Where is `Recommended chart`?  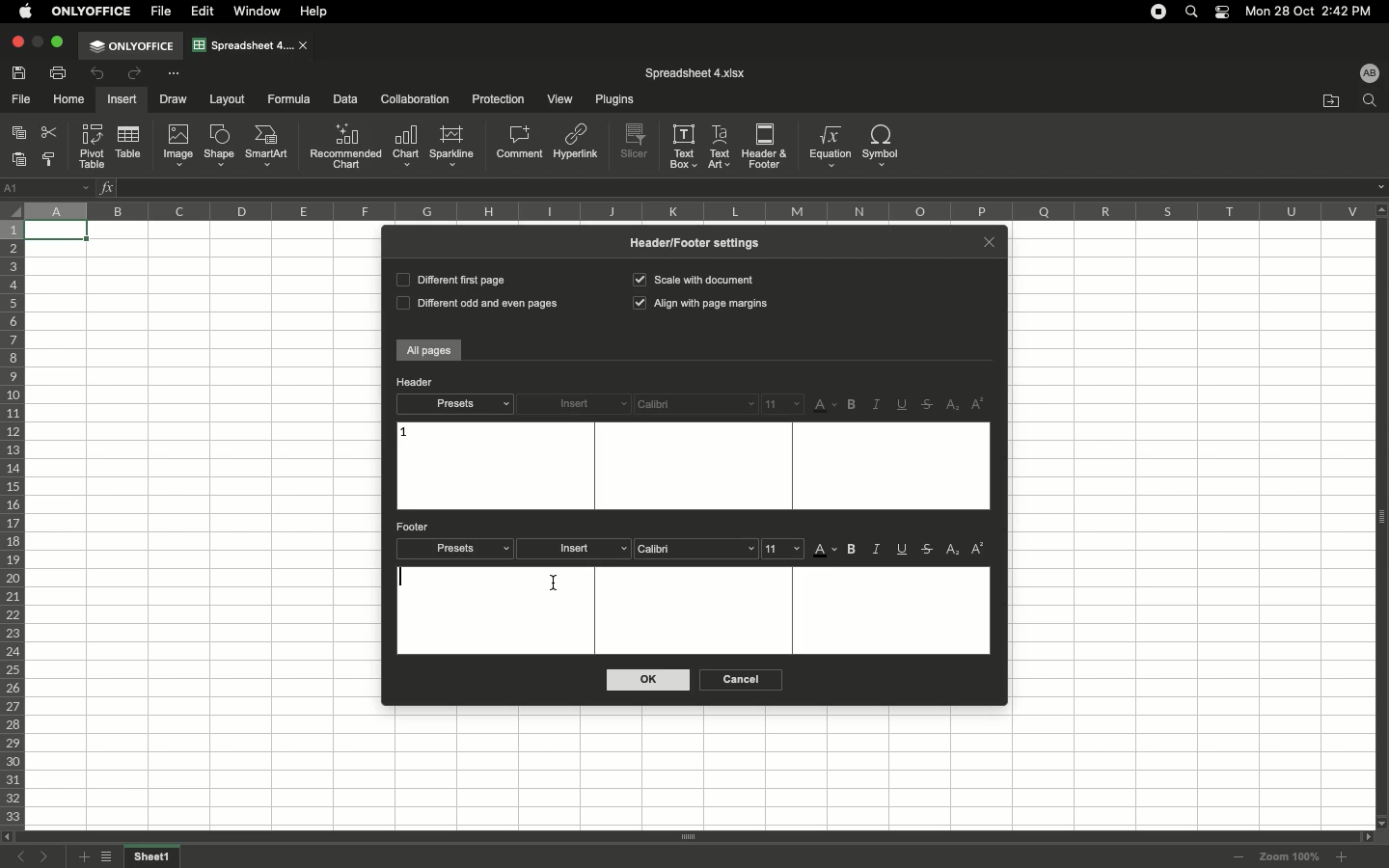
Recommended chart is located at coordinates (345, 146).